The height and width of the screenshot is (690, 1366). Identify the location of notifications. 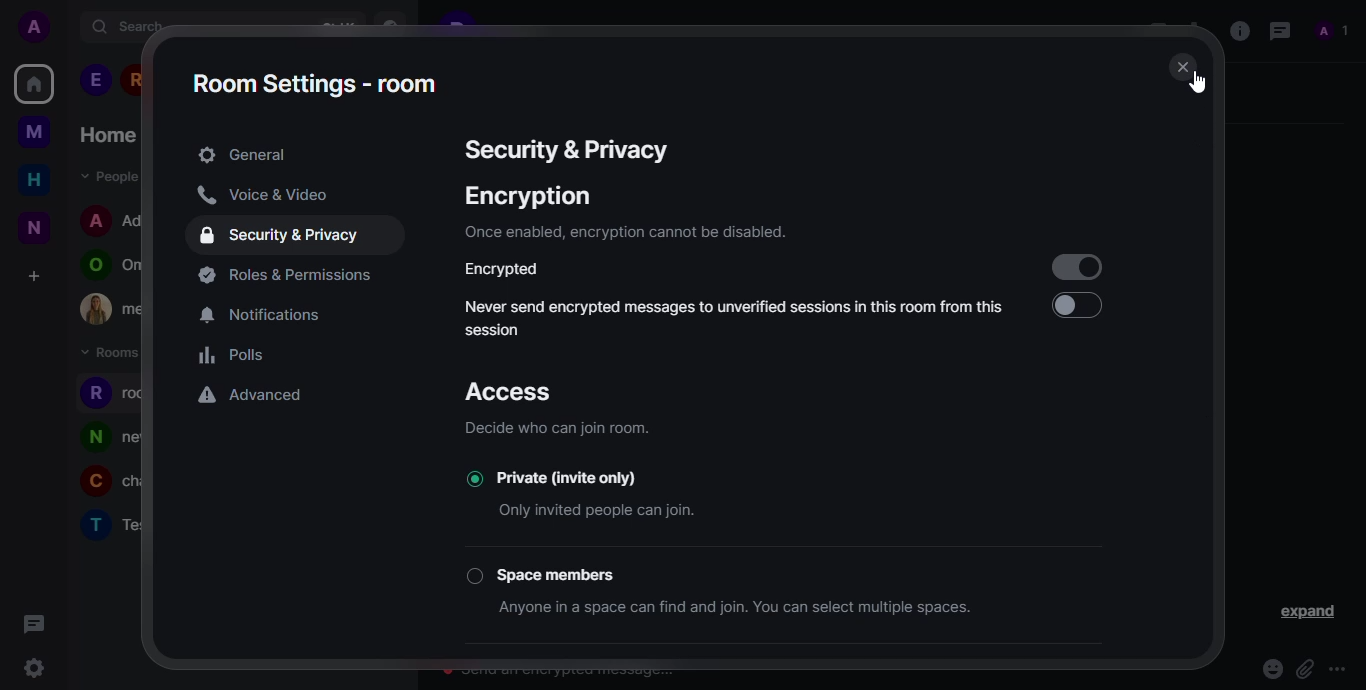
(268, 316).